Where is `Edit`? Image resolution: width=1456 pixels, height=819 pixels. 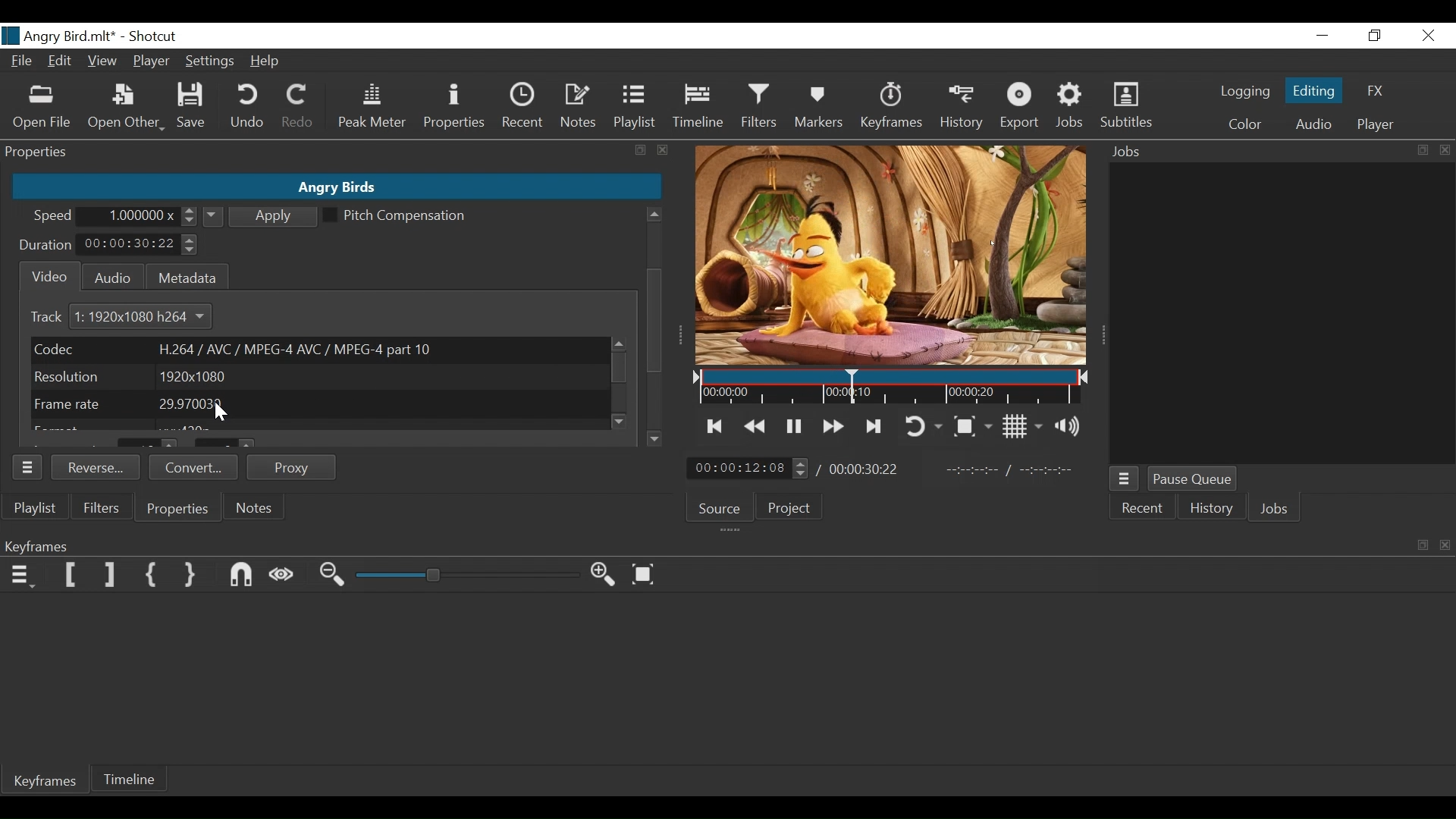 Edit is located at coordinates (60, 62).